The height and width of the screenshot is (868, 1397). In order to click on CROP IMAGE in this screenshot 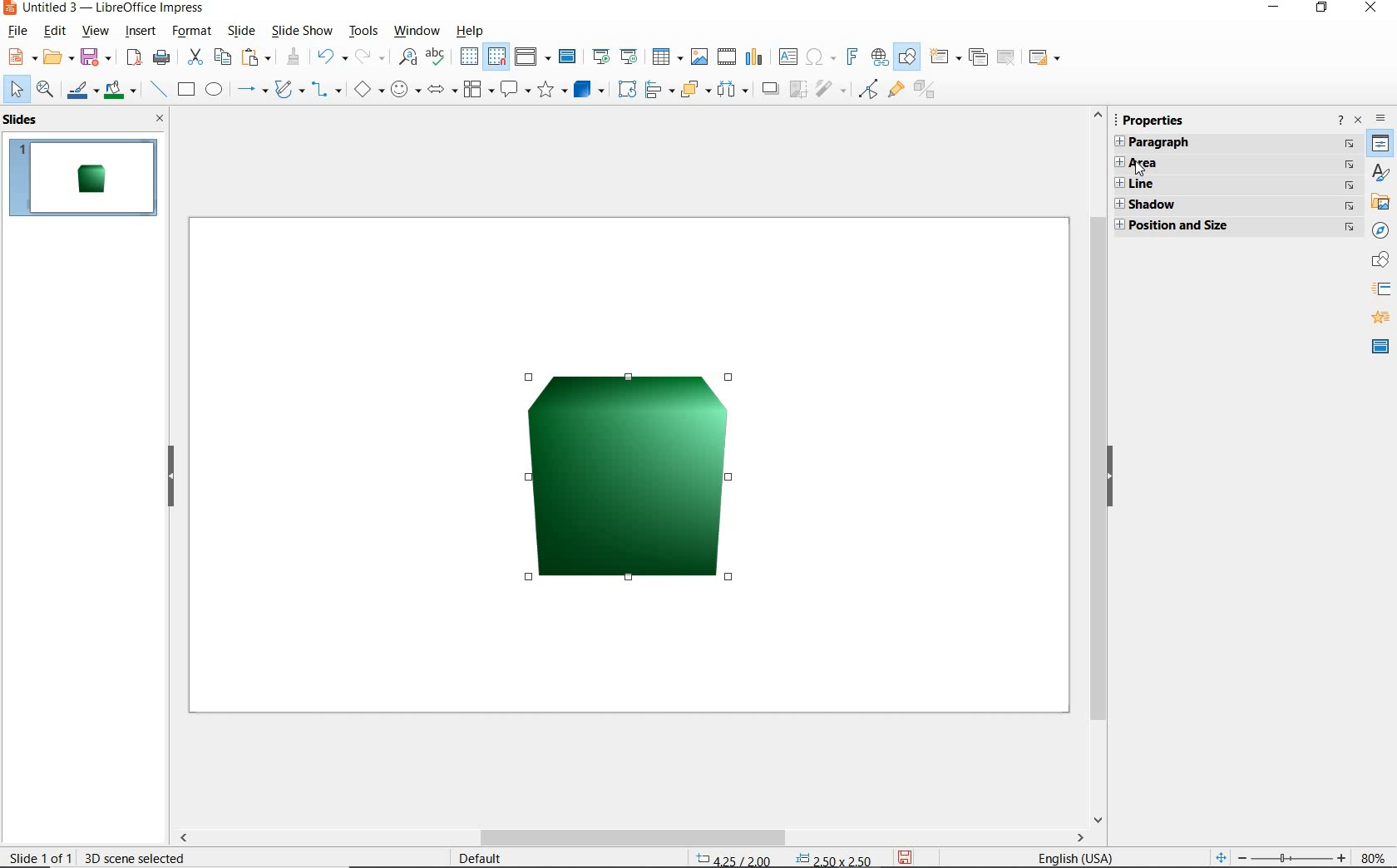, I will do `click(798, 91)`.